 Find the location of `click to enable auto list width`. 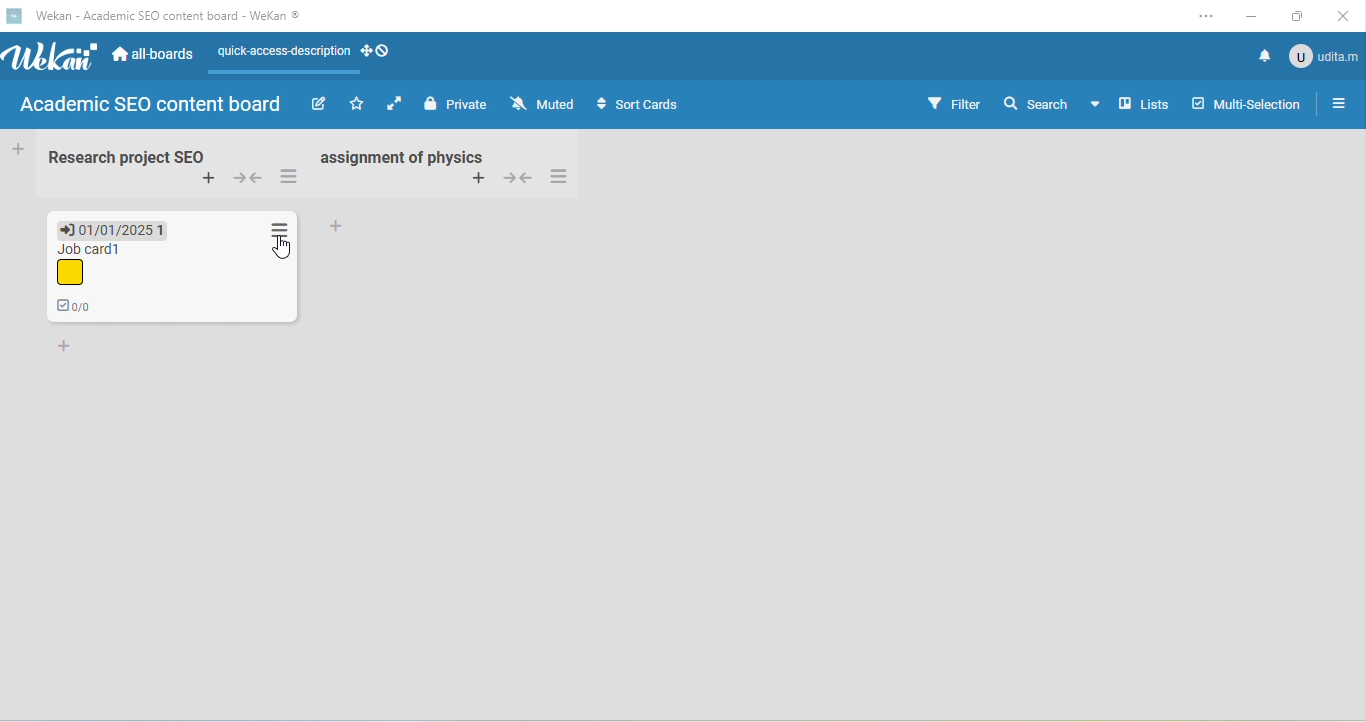

click to enable auto list width is located at coordinates (397, 104).